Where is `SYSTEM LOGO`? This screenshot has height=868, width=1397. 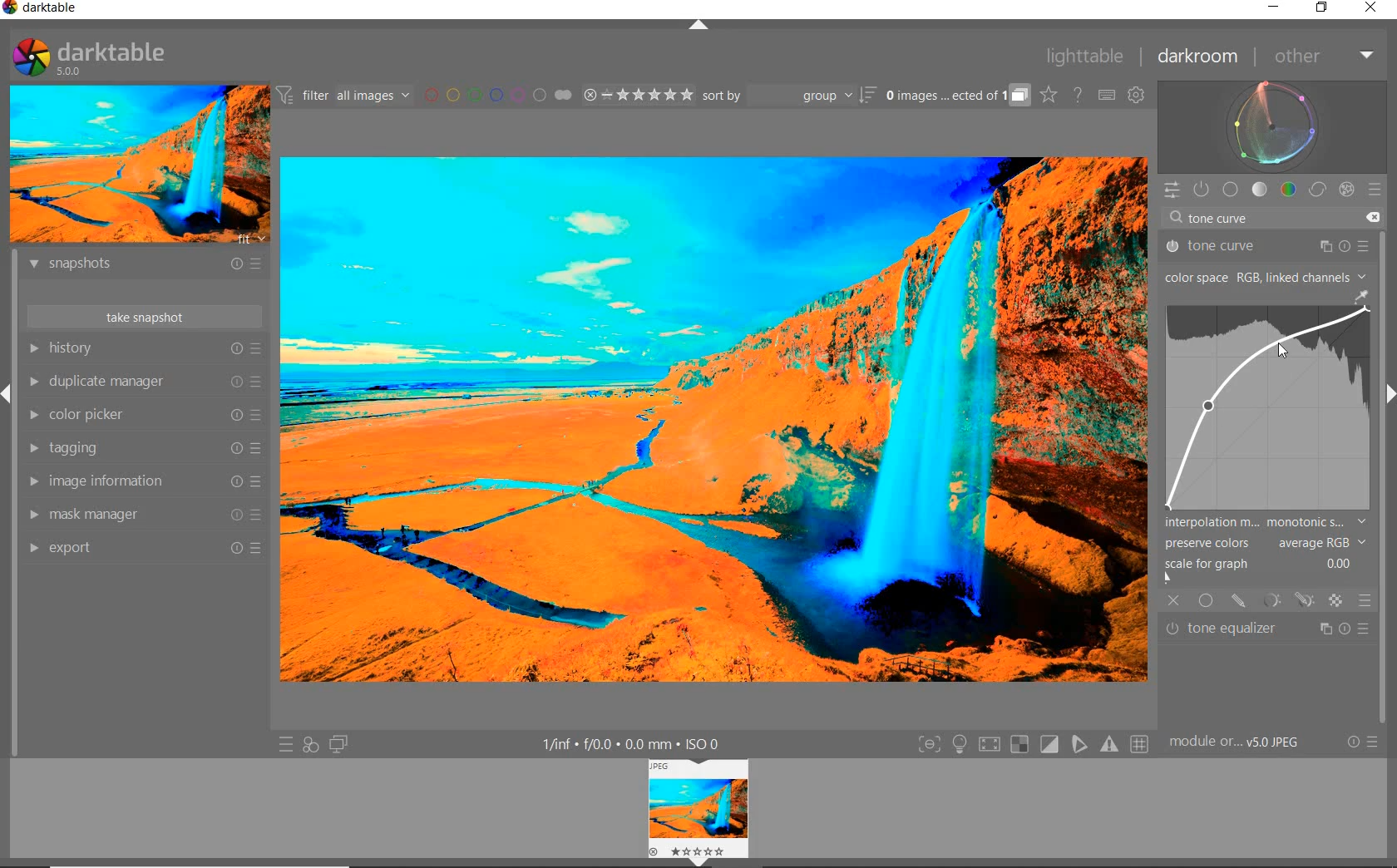 SYSTEM LOGO is located at coordinates (90, 57).